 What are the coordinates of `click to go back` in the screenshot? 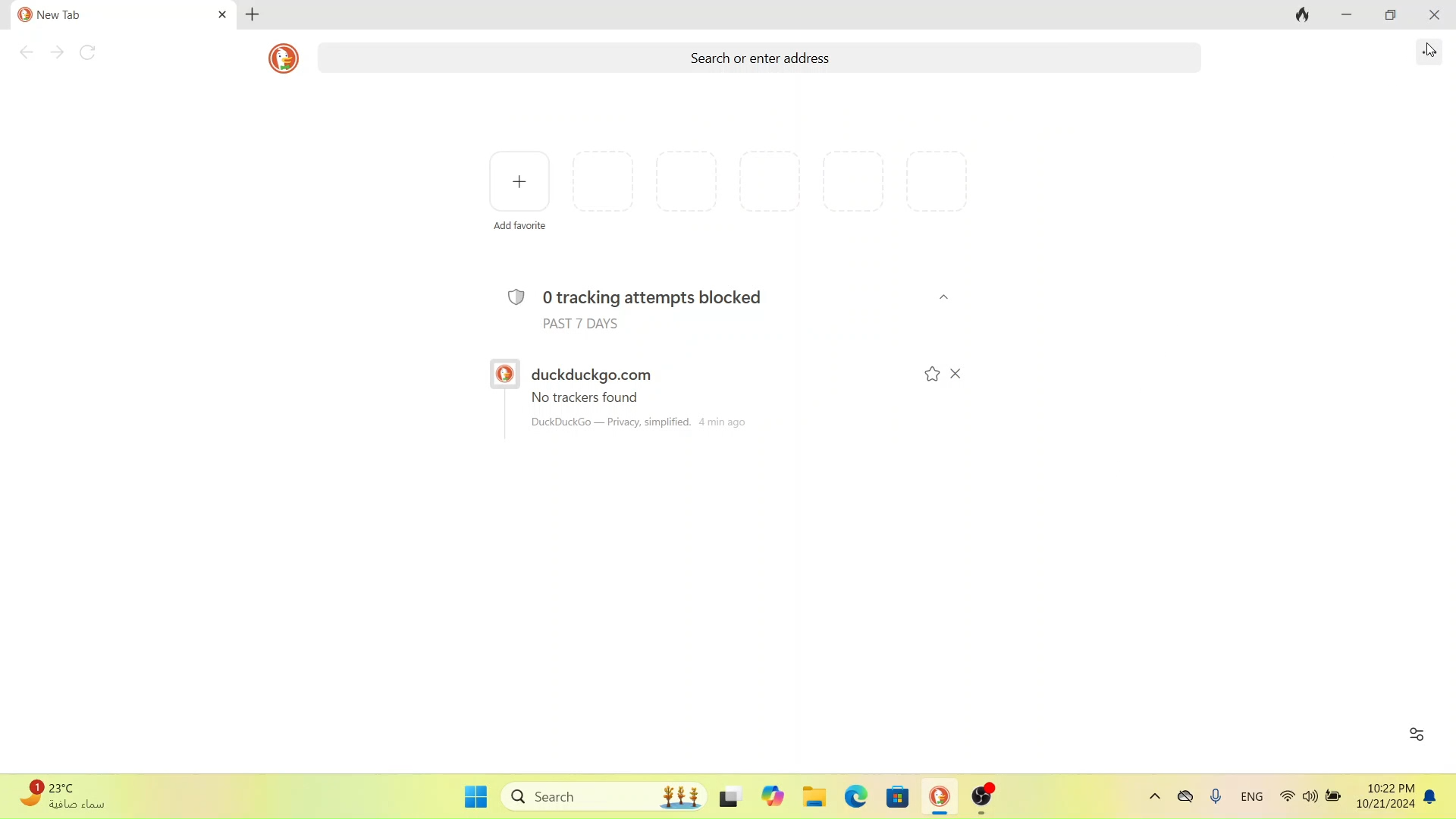 It's located at (26, 54).